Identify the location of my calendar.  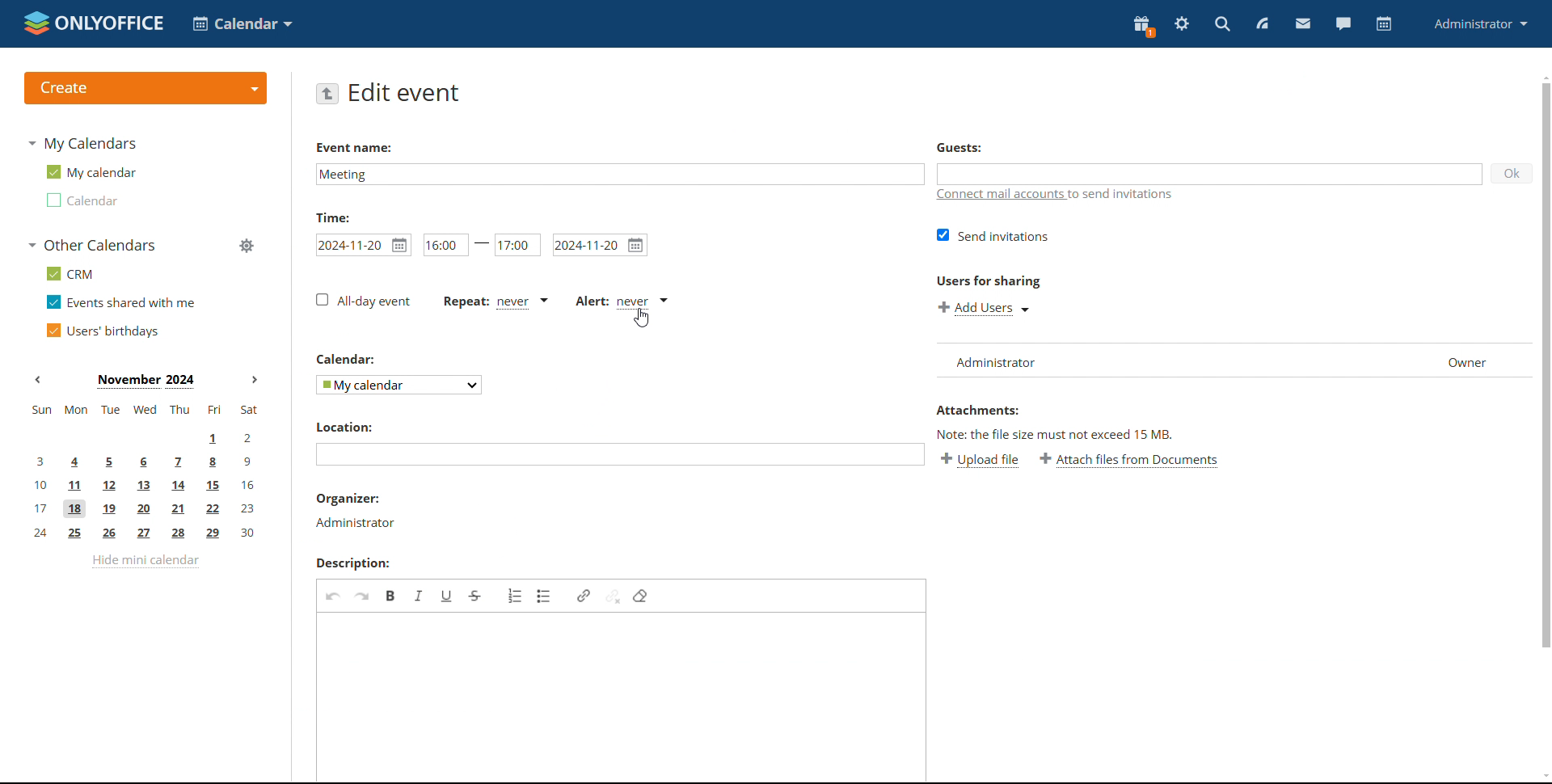
(90, 172).